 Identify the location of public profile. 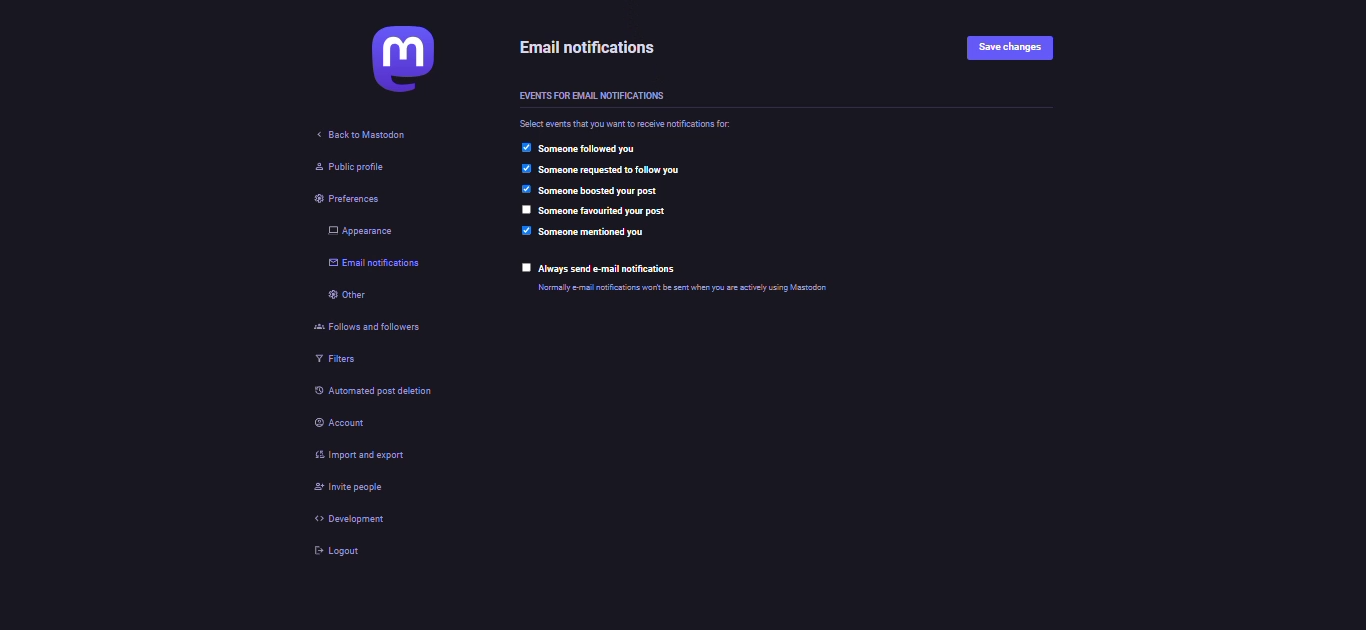
(342, 167).